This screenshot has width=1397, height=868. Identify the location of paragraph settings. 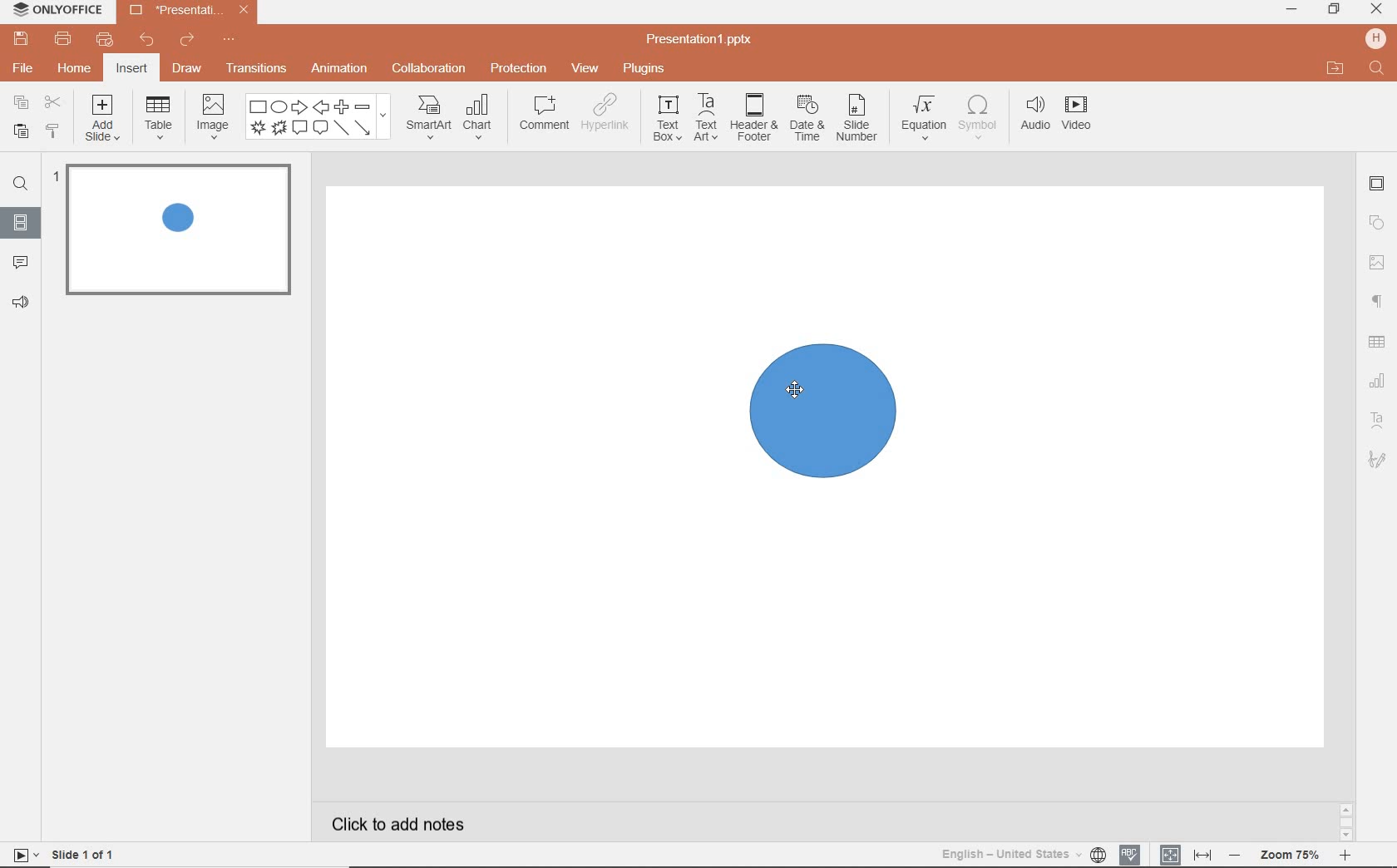
(1378, 301).